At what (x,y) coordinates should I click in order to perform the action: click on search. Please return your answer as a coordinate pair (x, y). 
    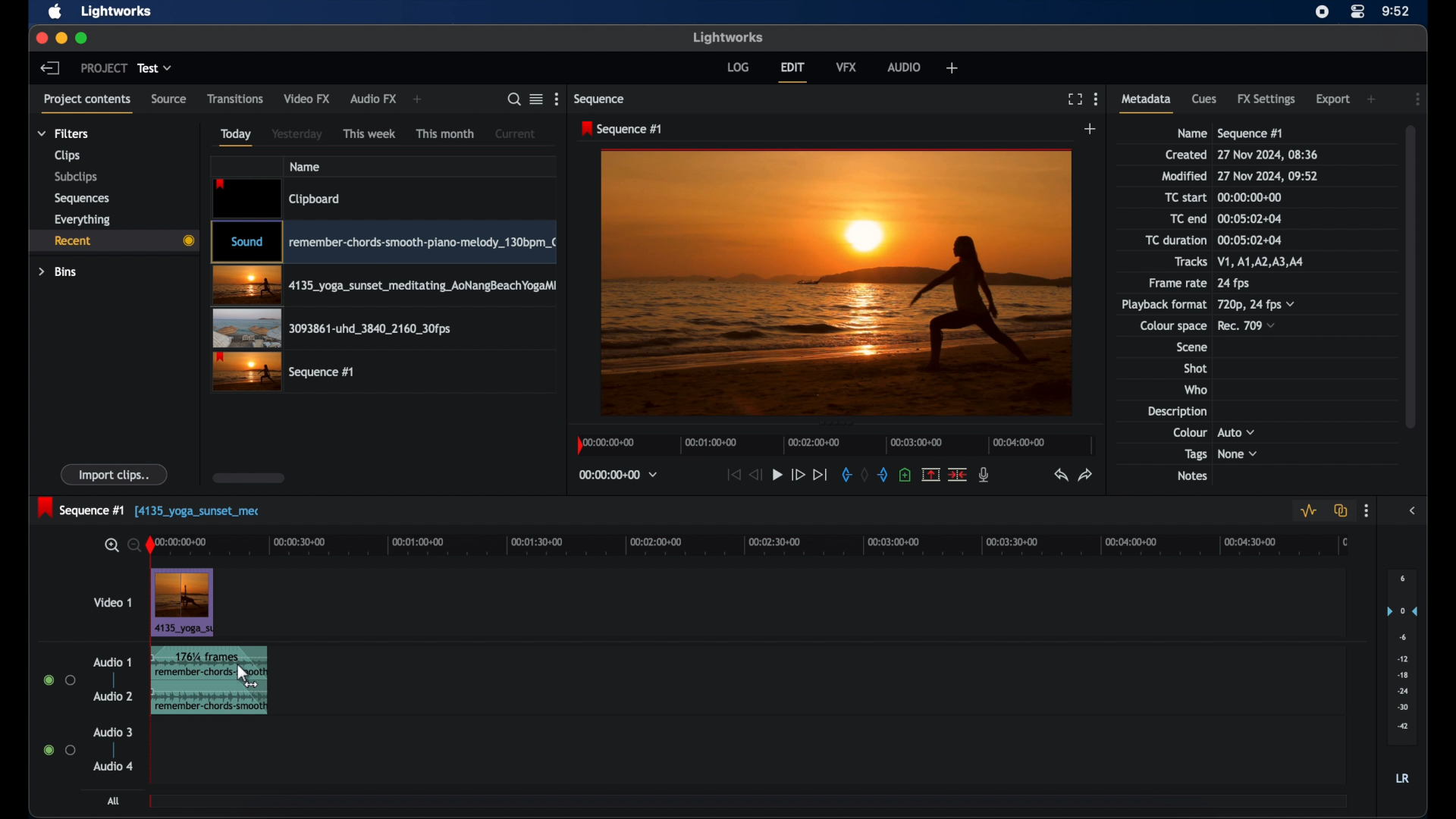
    Looking at the image, I should click on (513, 99).